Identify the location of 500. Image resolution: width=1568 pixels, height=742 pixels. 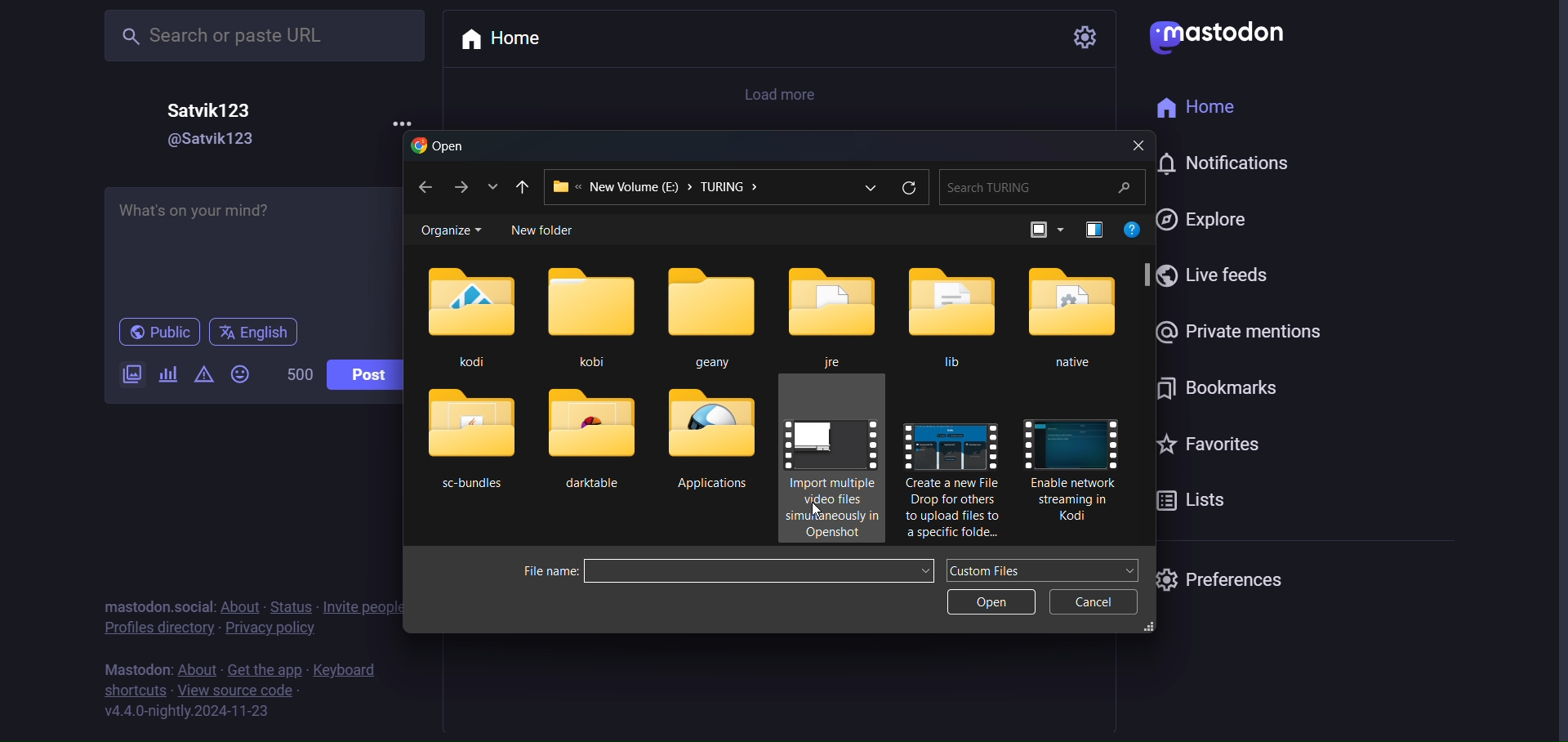
(289, 370).